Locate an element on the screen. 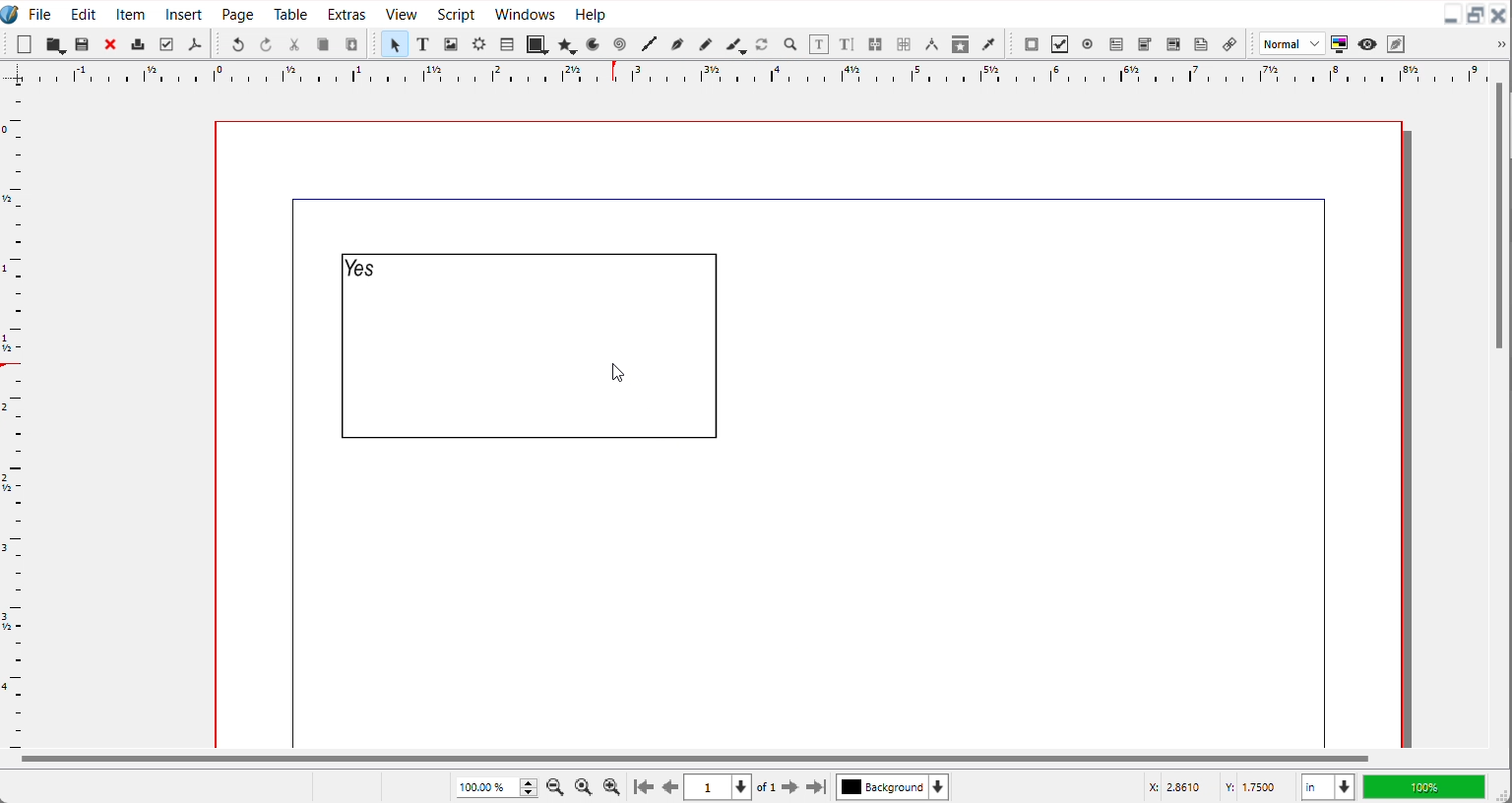  Extras is located at coordinates (346, 12).